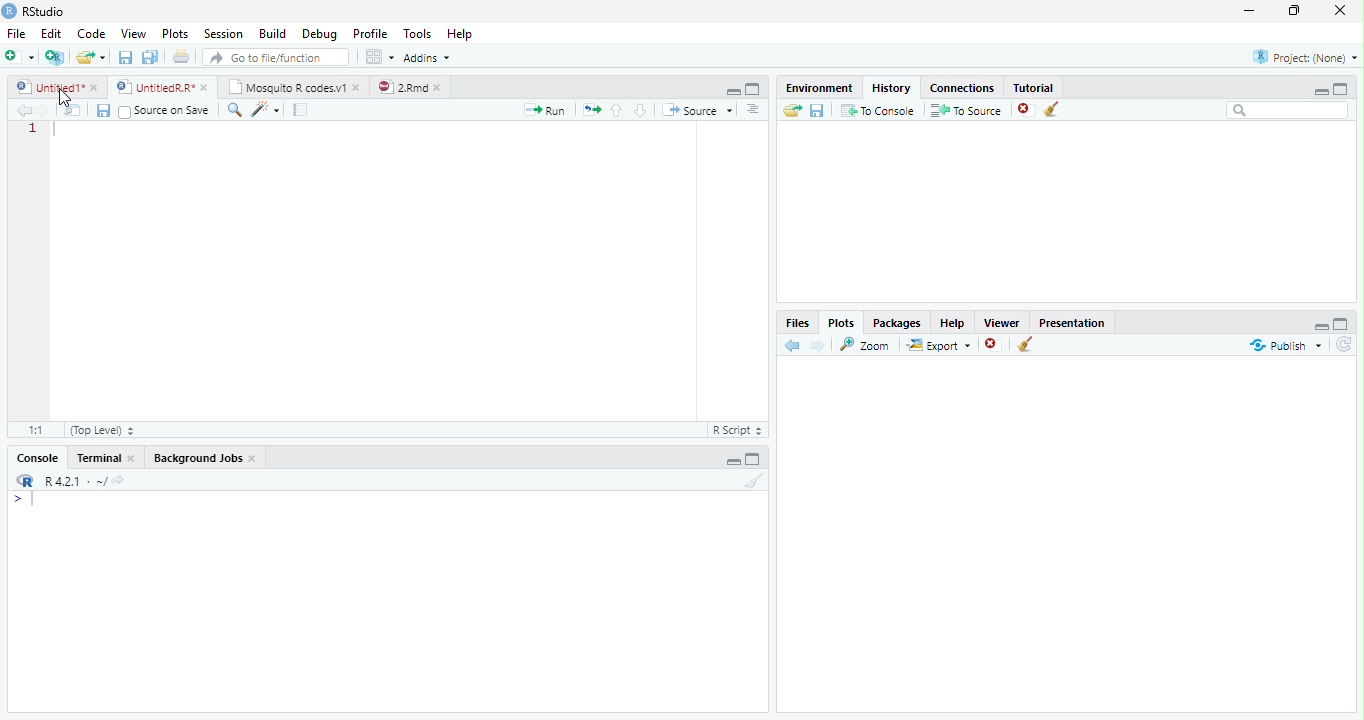  What do you see at coordinates (55, 86) in the screenshot?
I see `Untited1*` at bounding box center [55, 86].